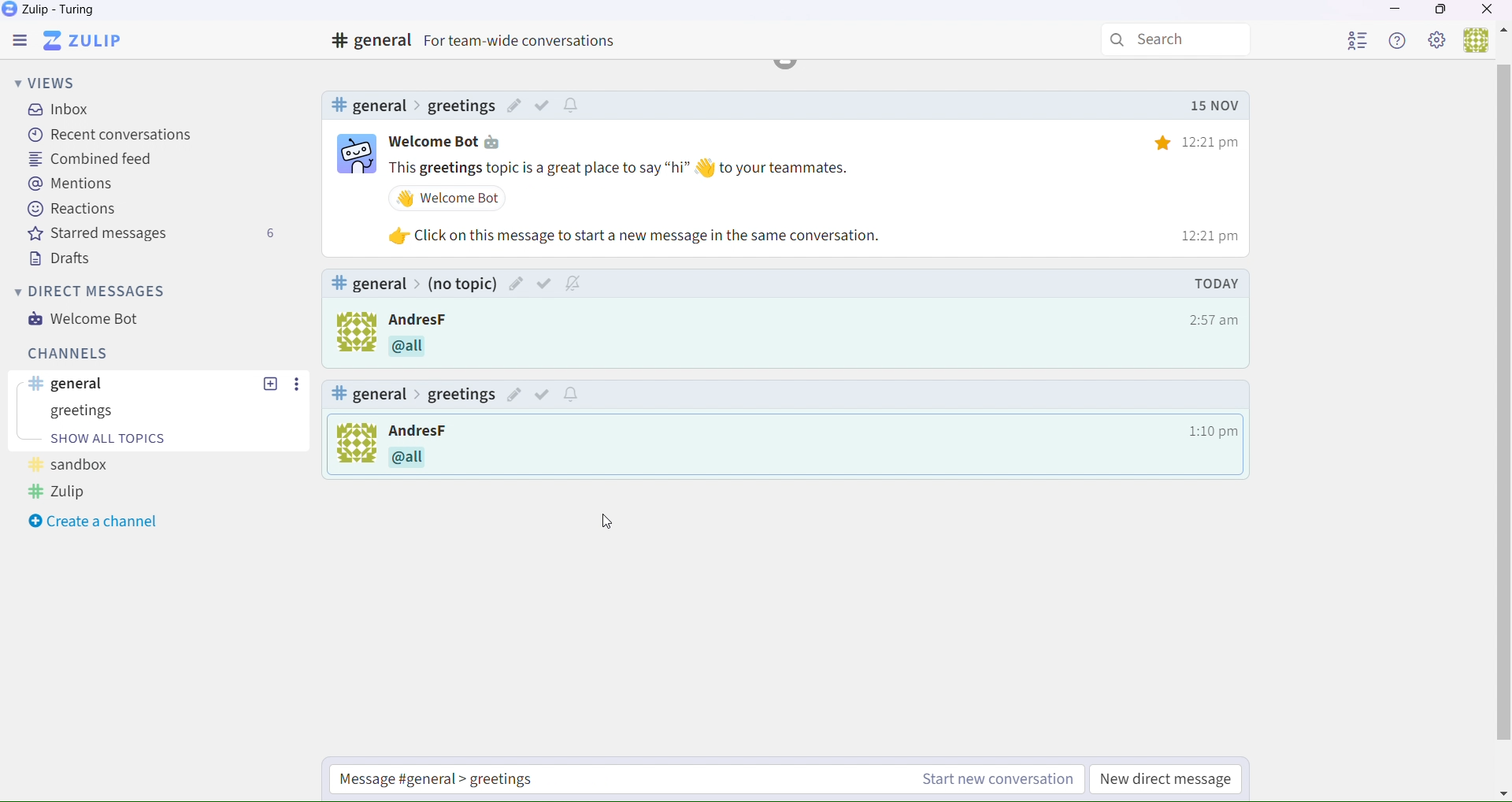  What do you see at coordinates (1442, 13) in the screenshot?
I see `Box` at bounding box center [1442, 13].